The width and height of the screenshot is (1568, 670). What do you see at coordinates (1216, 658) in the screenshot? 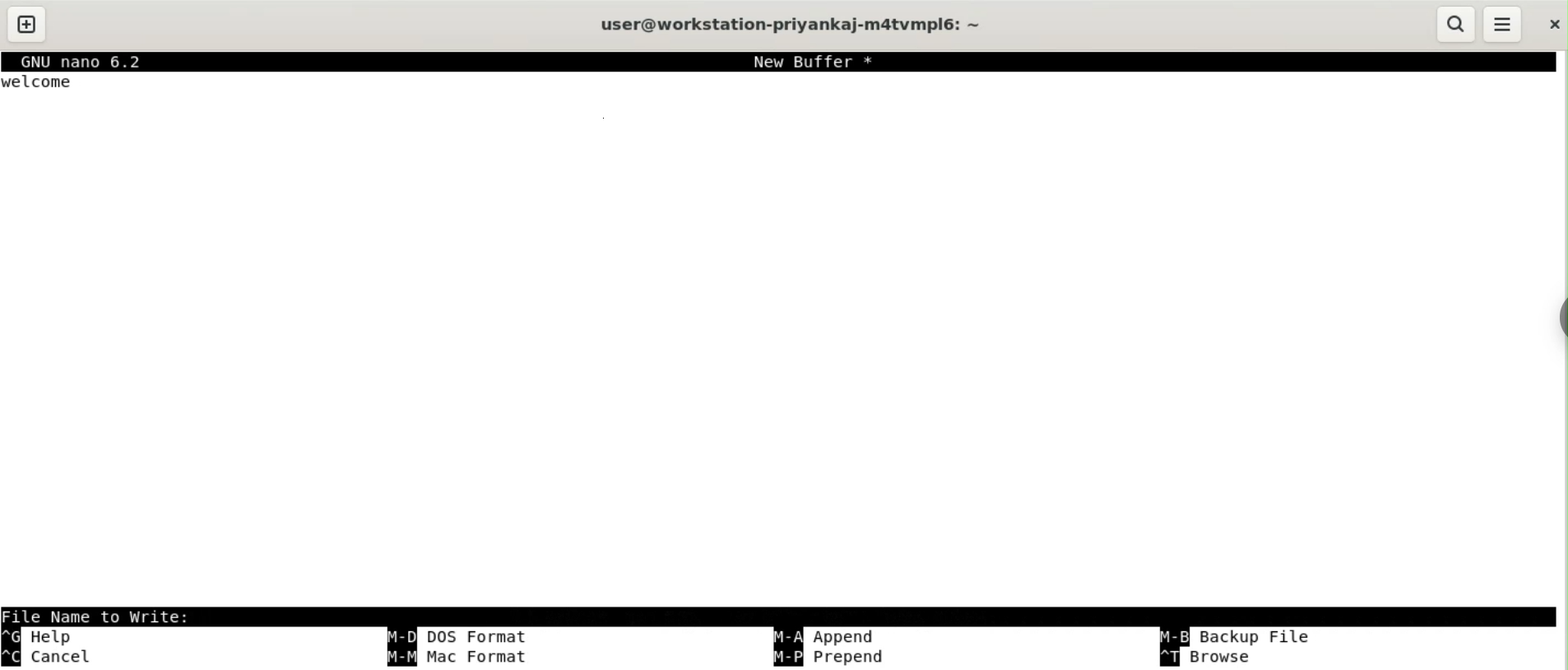
I see `browse` at bounding box center [1216, 658].